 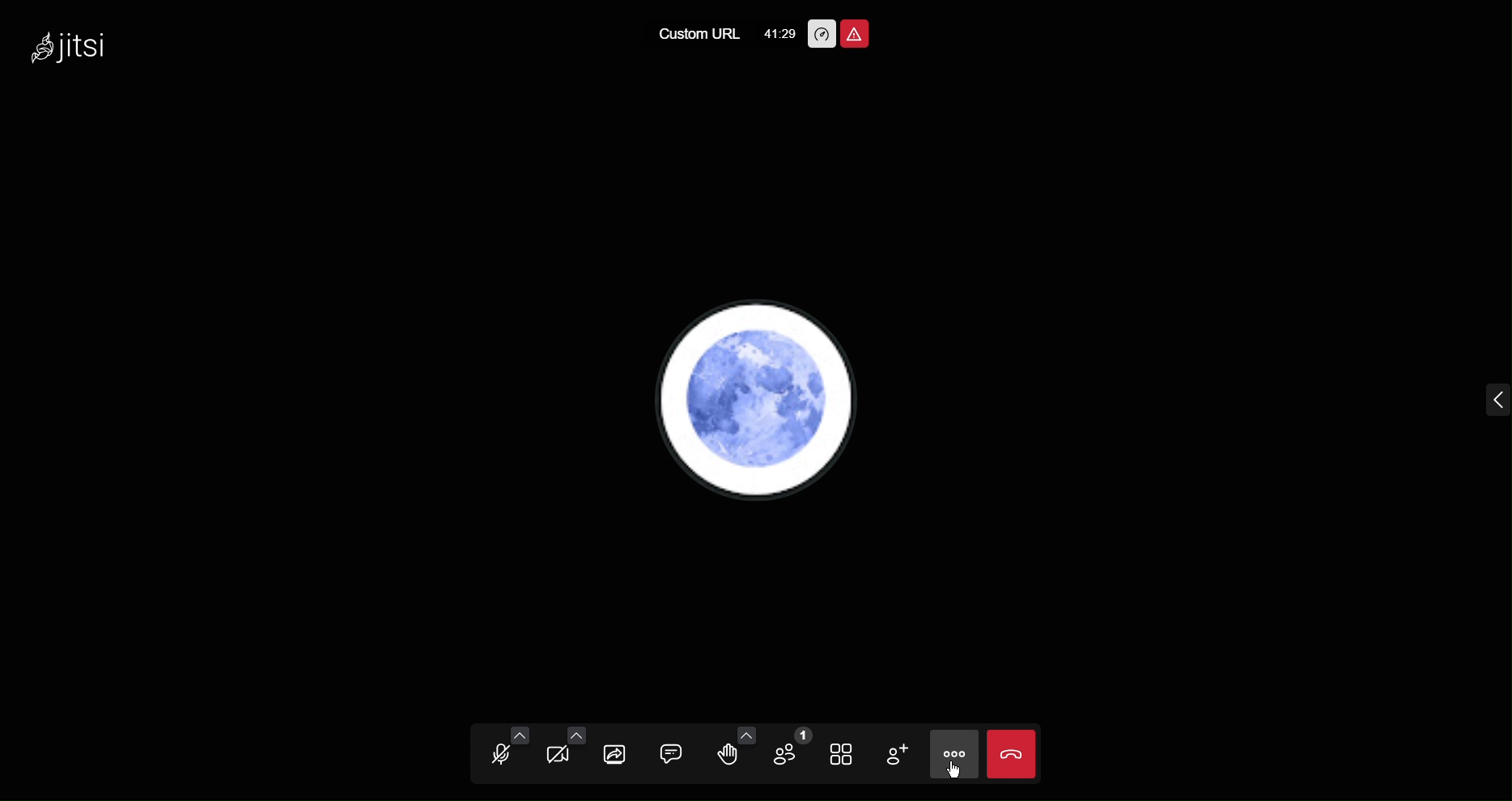 I want to click on Custom URL, so click(x=696, y=32).